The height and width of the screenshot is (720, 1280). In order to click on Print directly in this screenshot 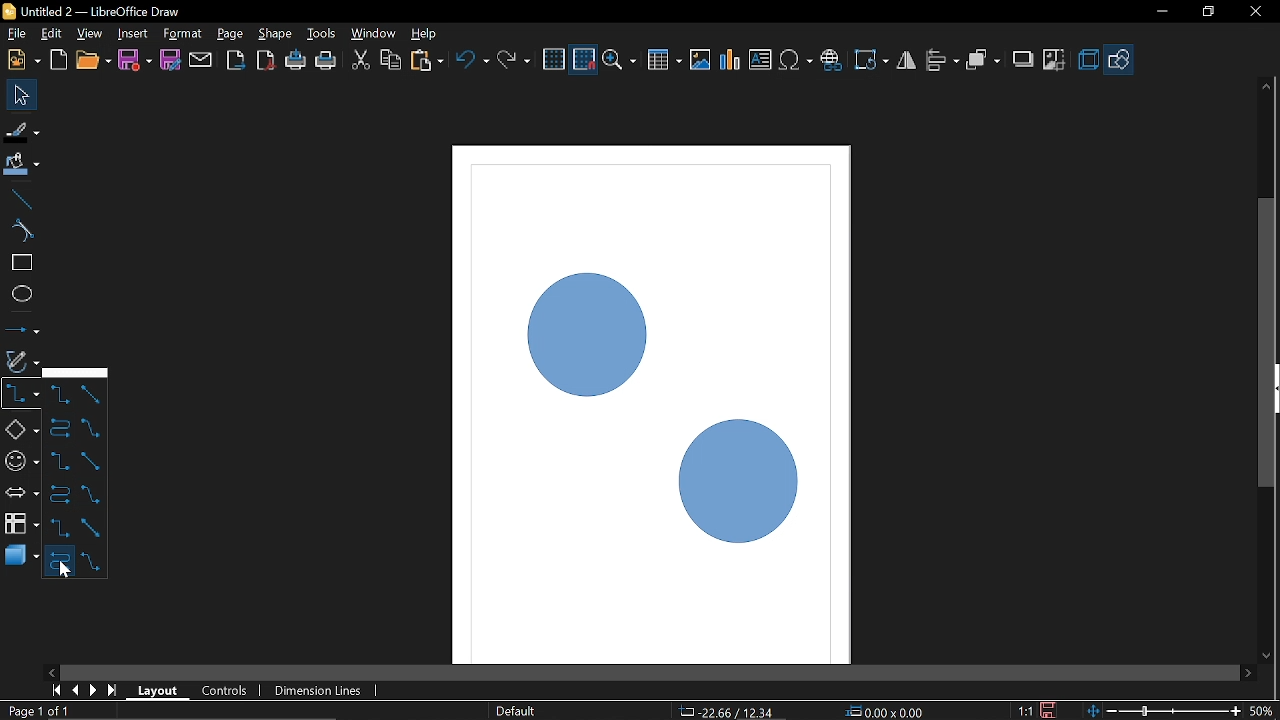, I will do `click(297, 60)`.